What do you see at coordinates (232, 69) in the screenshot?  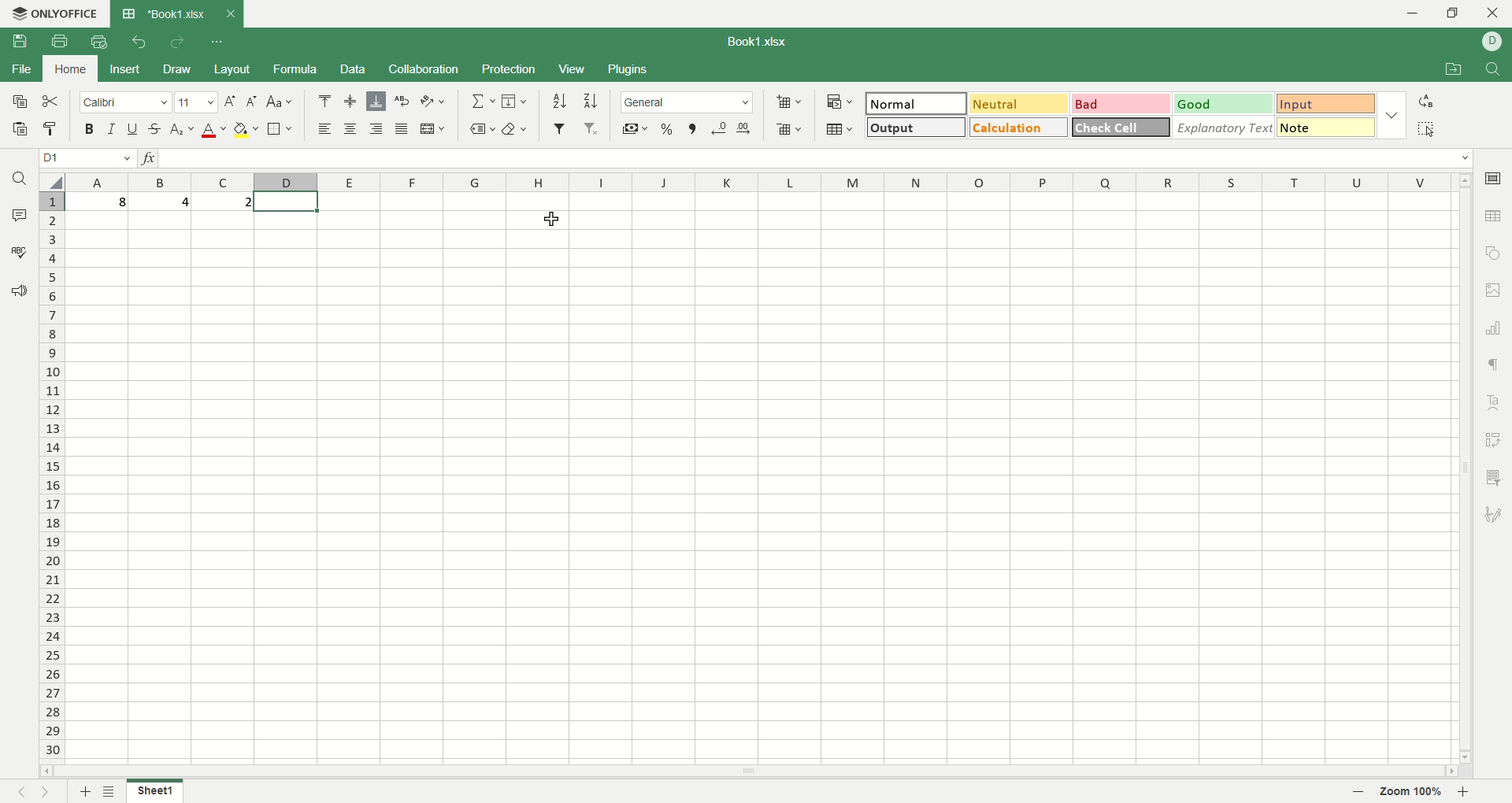 I see `layout` at bounding box center [232, 69].